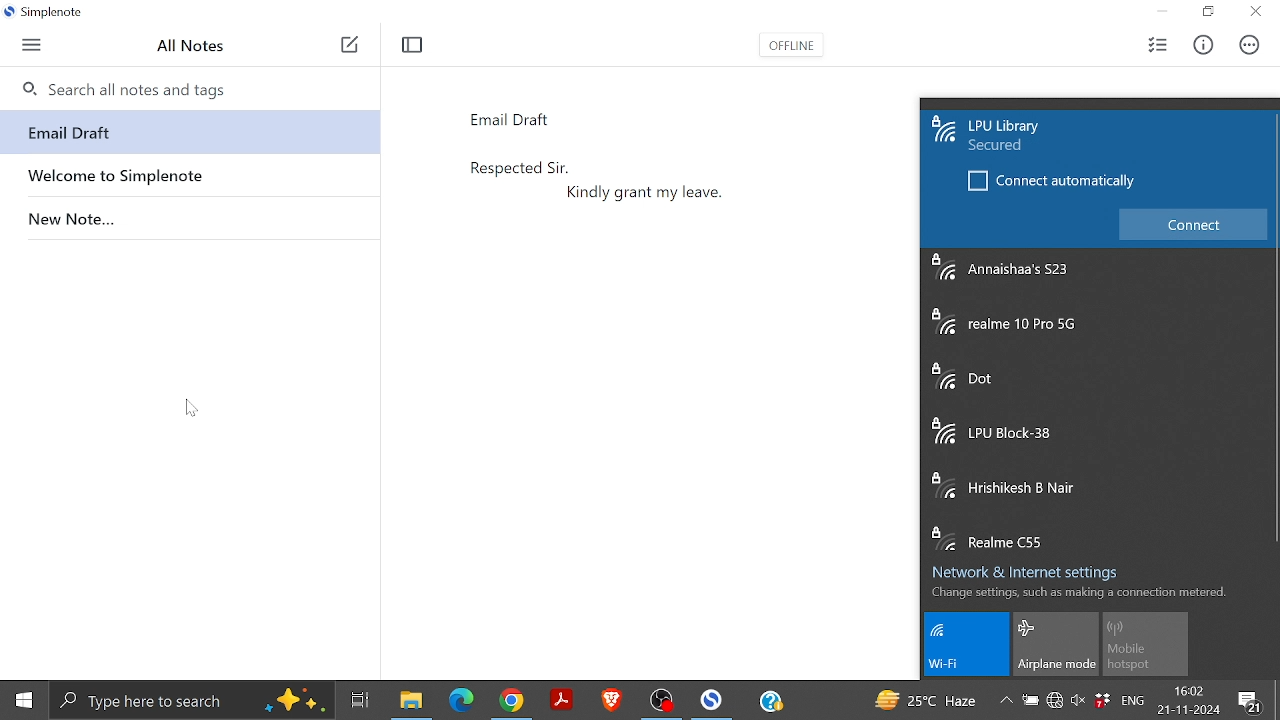  Describe the element at coordinates (1191, 700) in the screenshot. I see `Time and date` at that location.